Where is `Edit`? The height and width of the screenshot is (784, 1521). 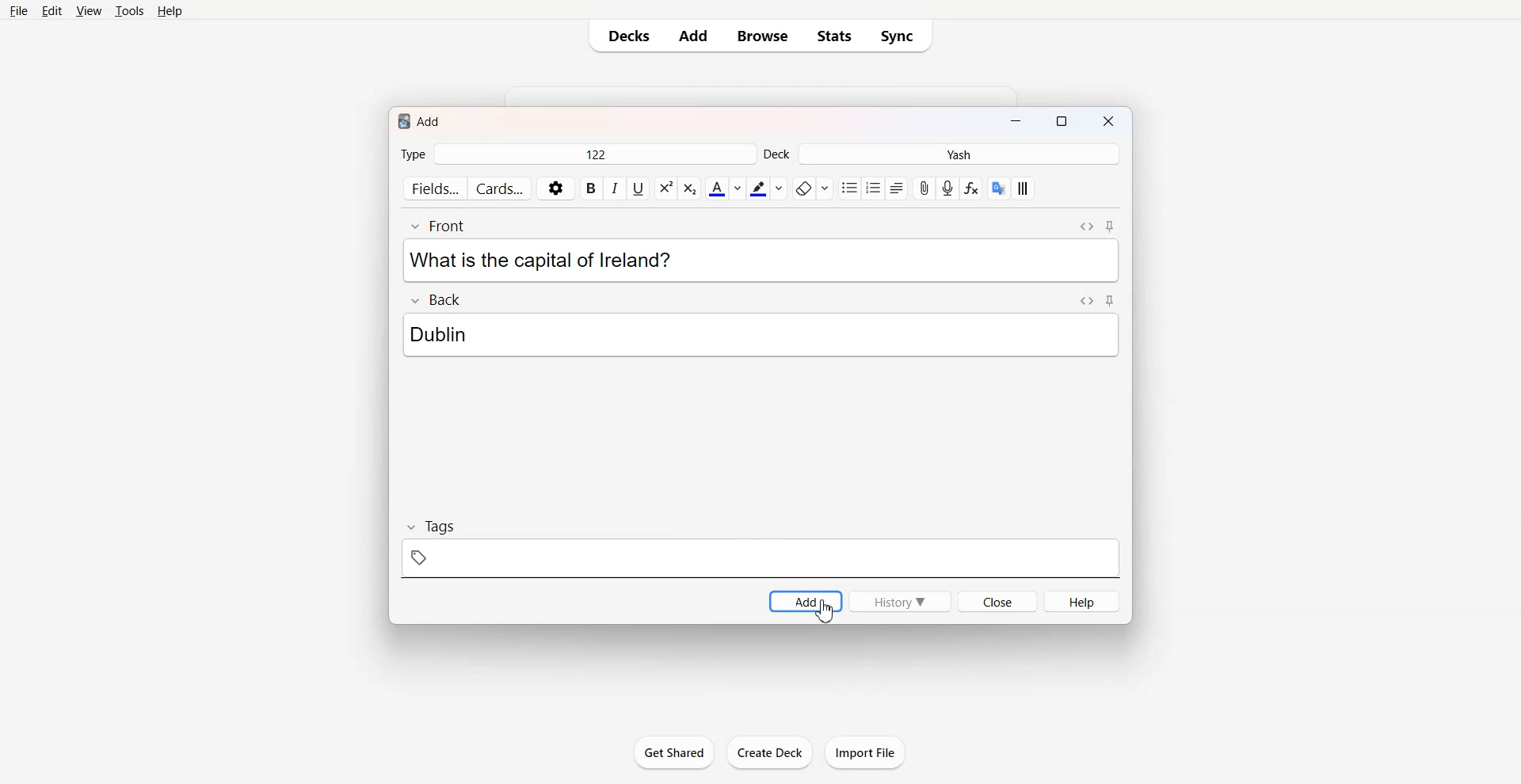 Edit is located at coordinates (51, 12).